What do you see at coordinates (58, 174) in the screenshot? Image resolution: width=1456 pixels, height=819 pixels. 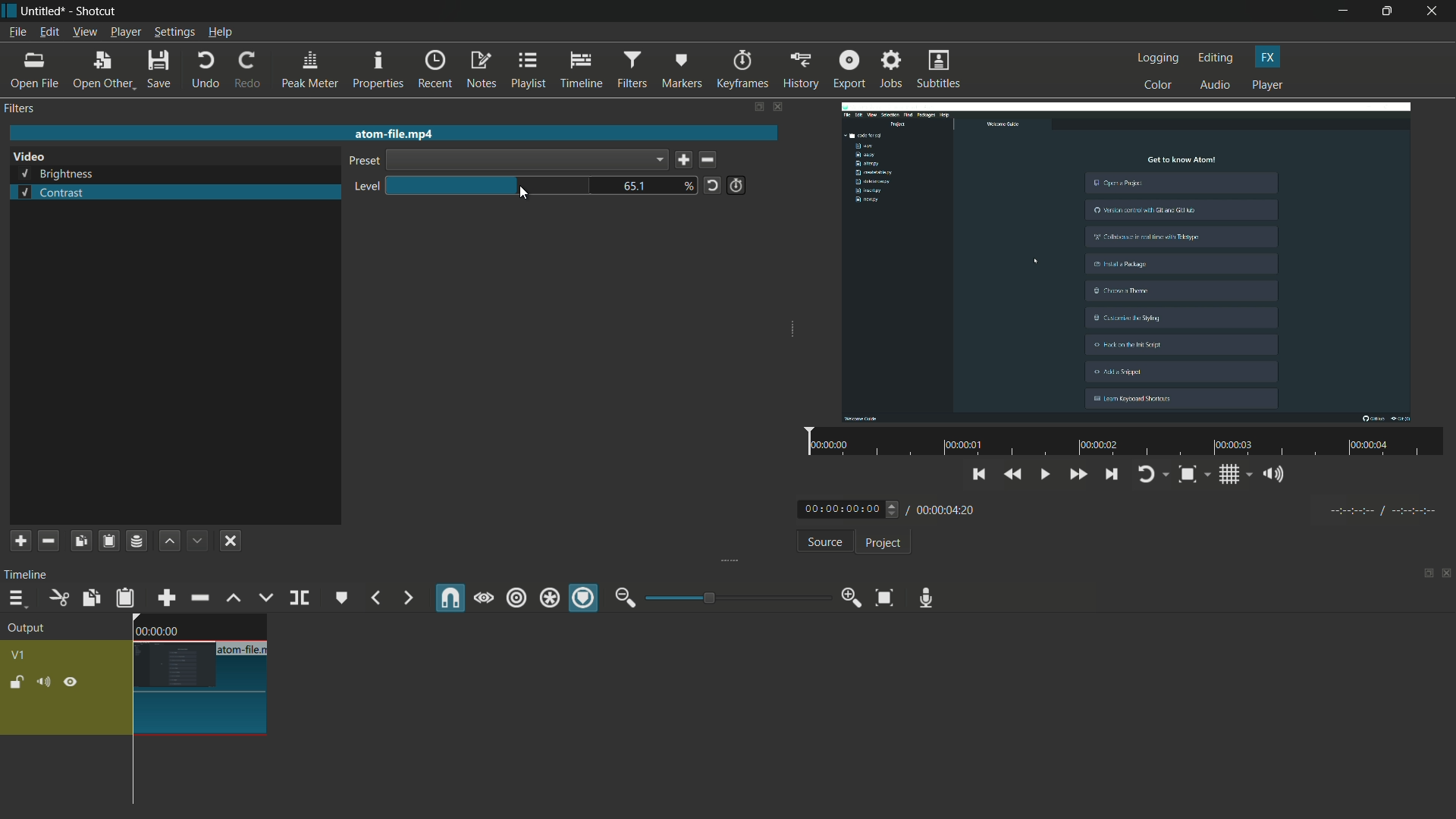 I see `brightness` at bounding box center [58, 174].